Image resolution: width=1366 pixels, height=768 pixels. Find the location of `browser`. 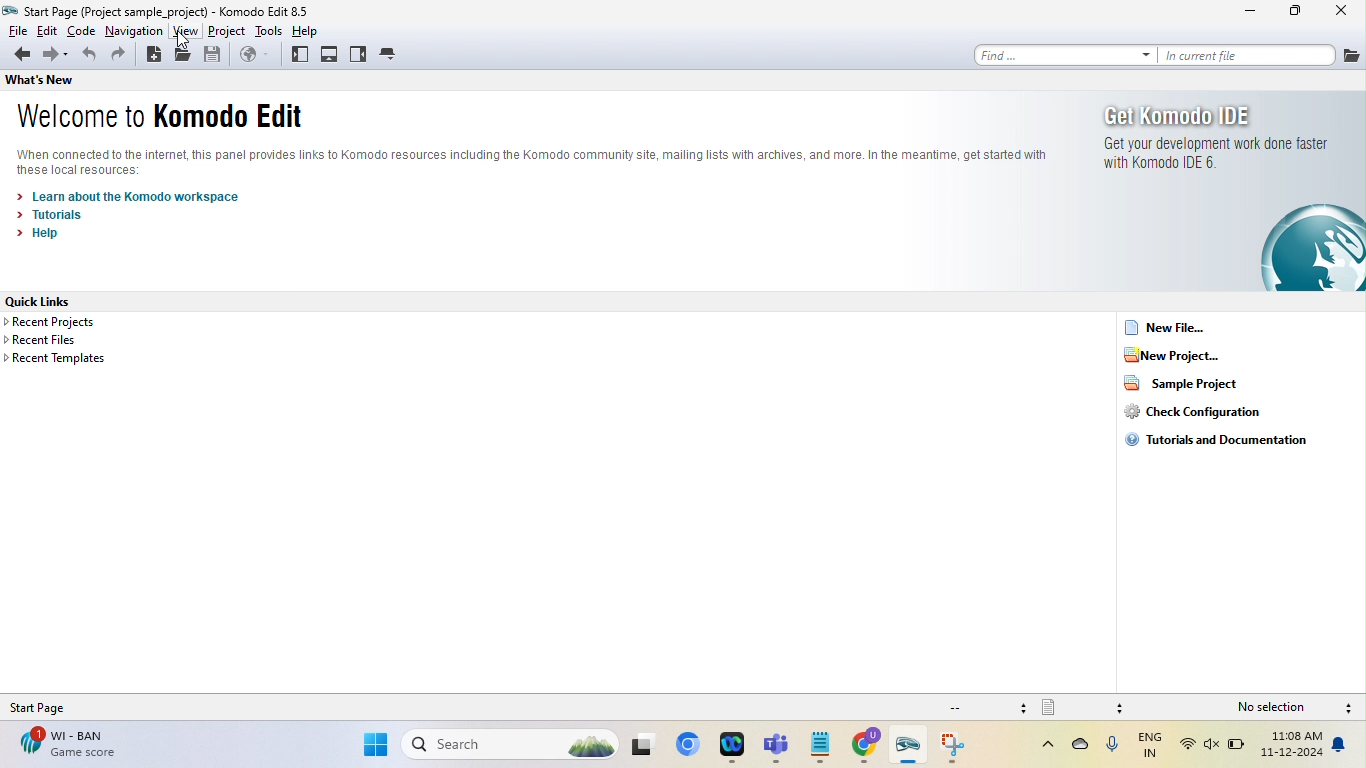

browser is located at coordinates (254, 54).